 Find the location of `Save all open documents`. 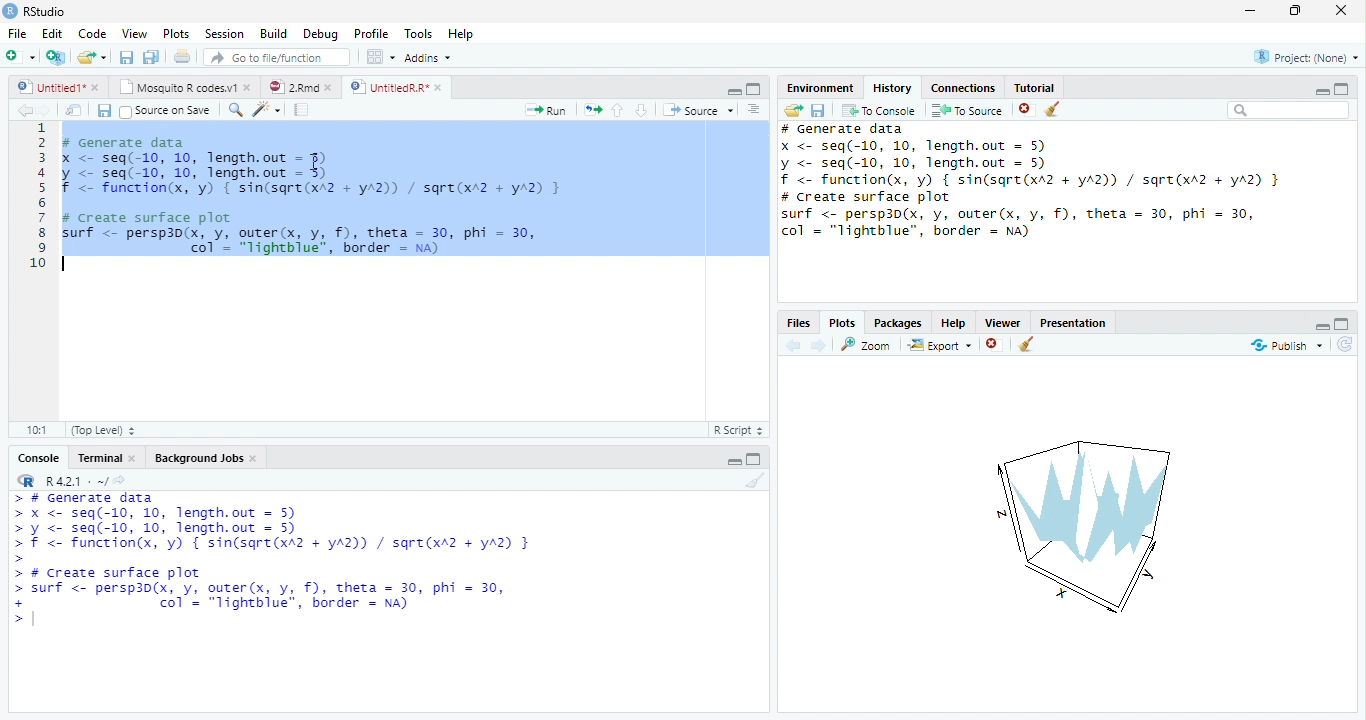

Save all open documents is located at coordinates (150, 56).